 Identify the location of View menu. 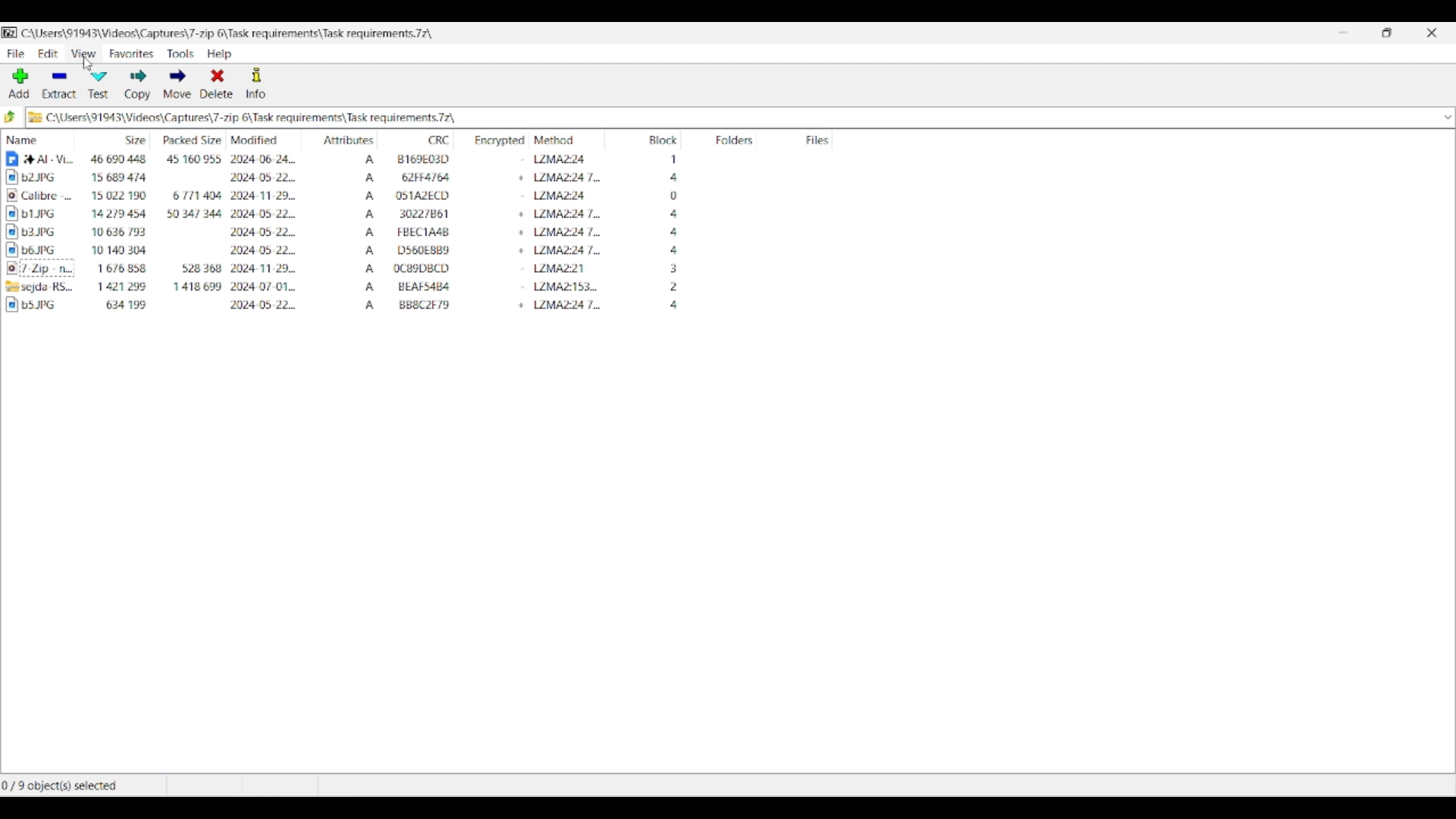
(83, 53).